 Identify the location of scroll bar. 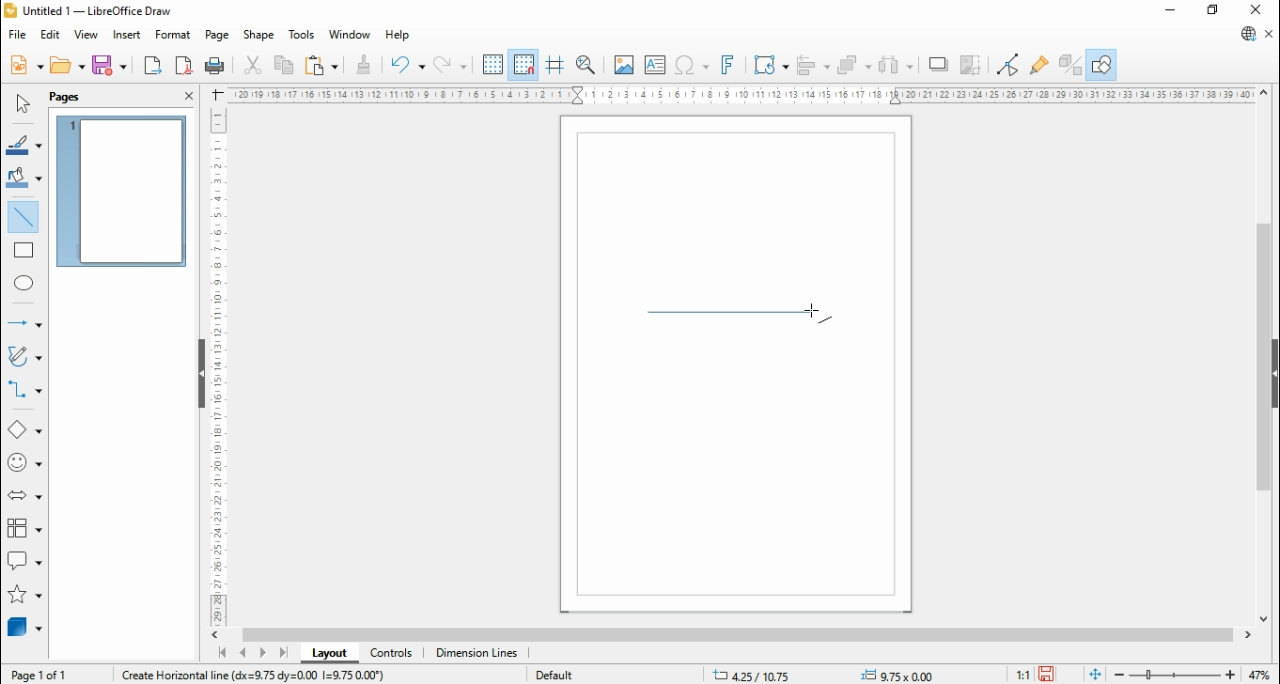
(1262, 357).